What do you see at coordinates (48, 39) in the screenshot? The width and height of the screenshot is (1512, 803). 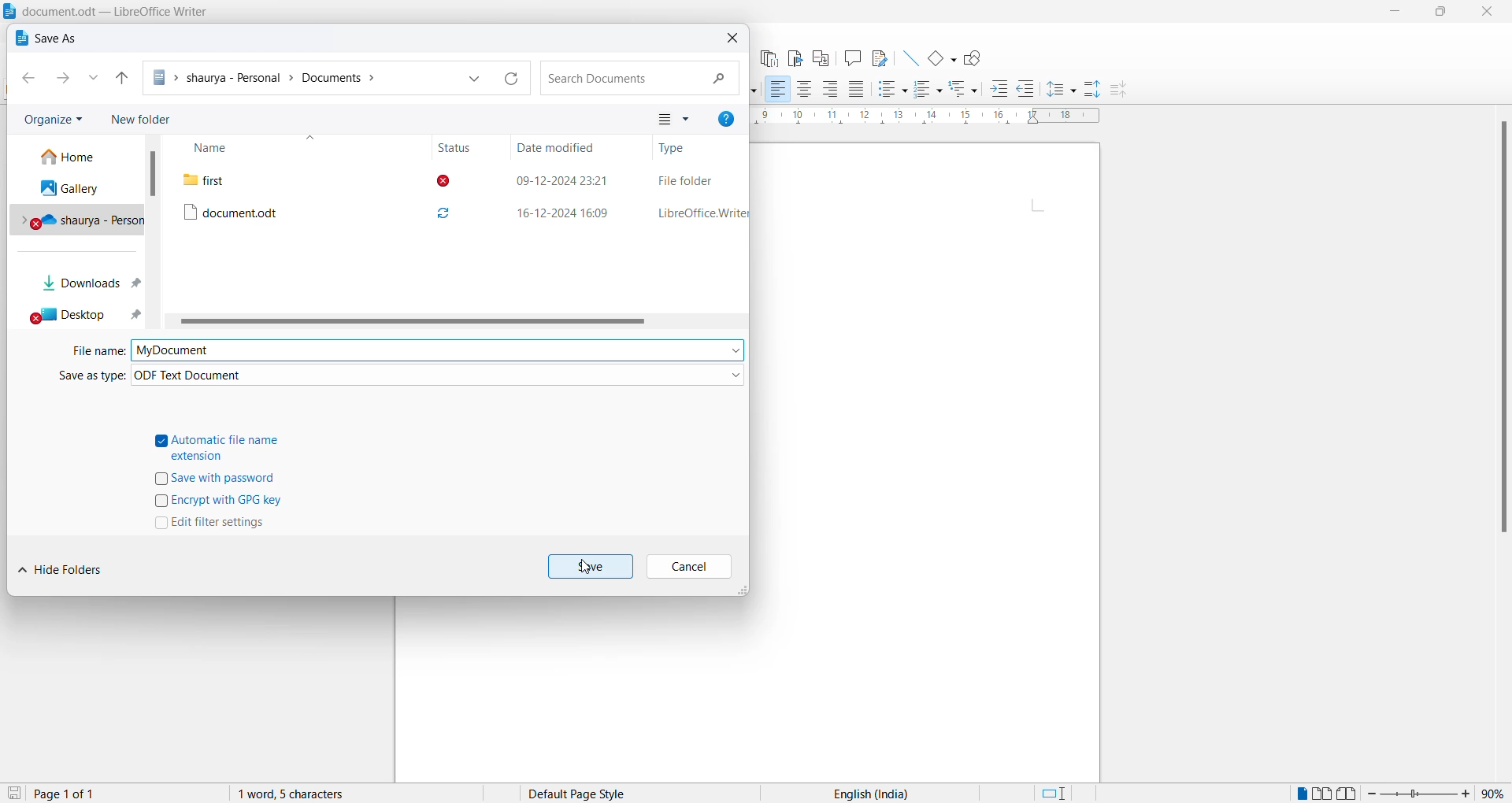 I see `Save as` at bounding box center [48, 39].